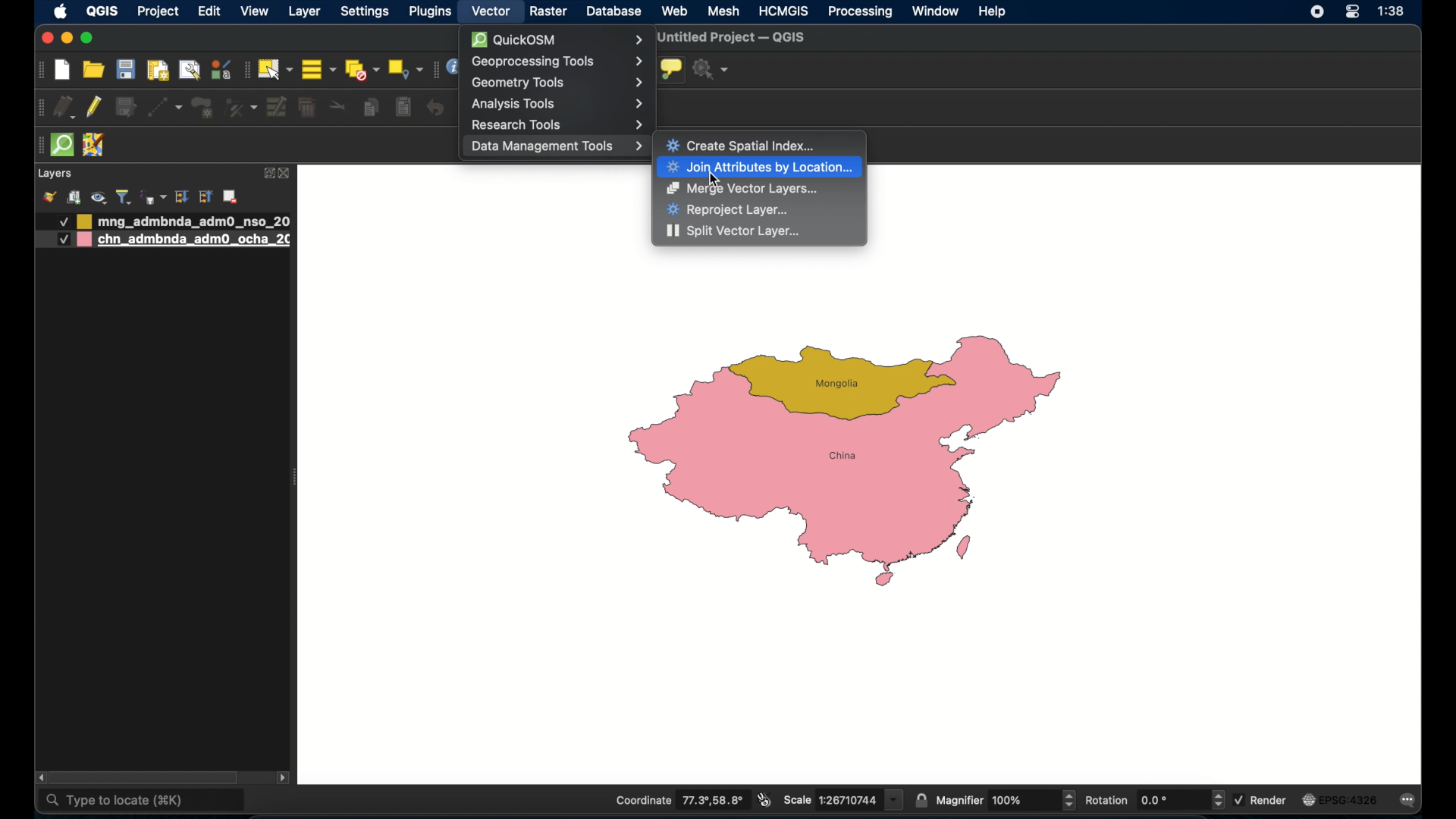  What do you see at coordinates (165, 108) in the screenshot?
I see `digitize with segment` at bounding box center [165, 108].